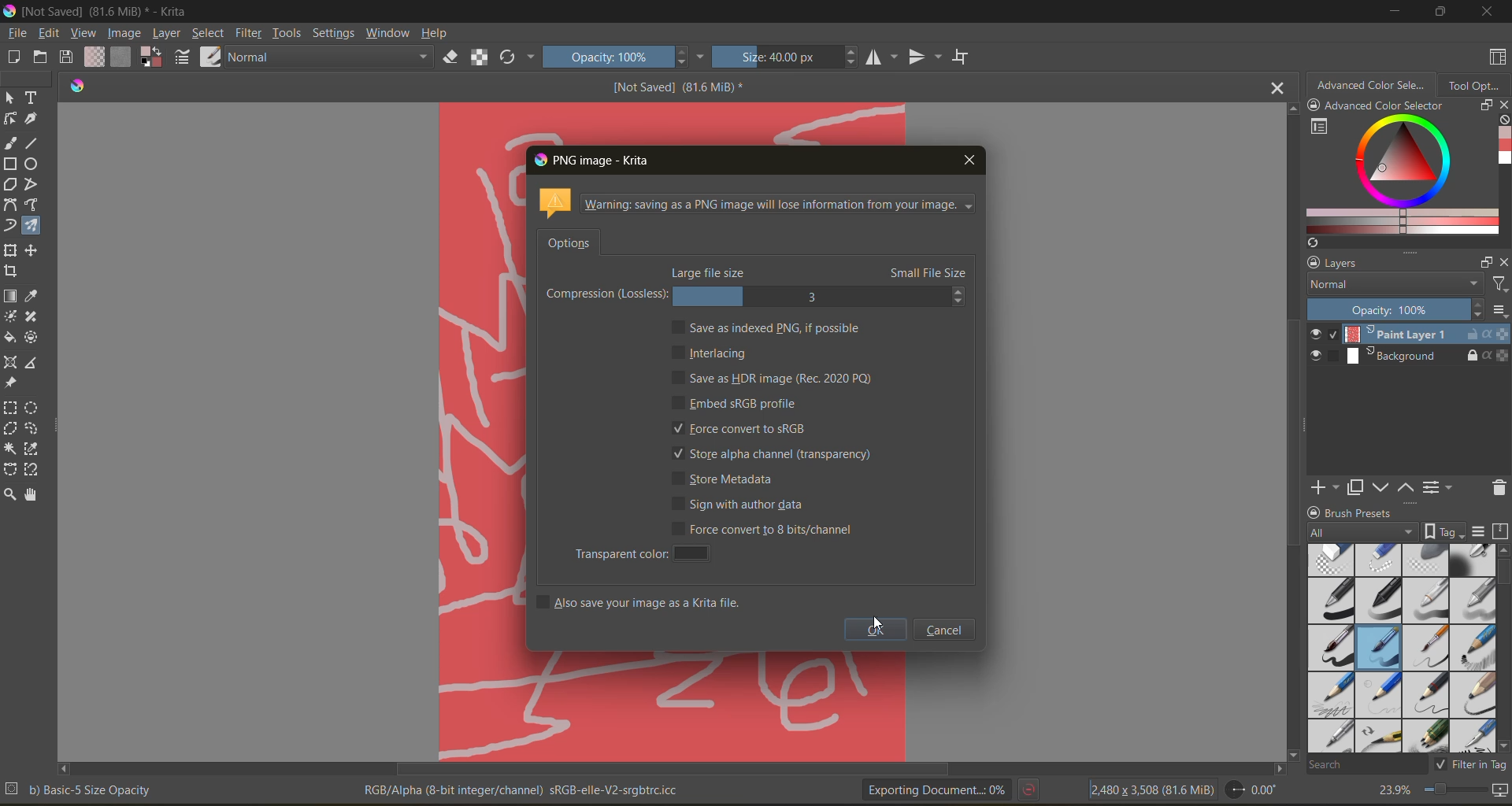 The image size is (1512, 806). What do you see at coordinates (514, 57) in the screenshot?
I see `reload original preset` at bounding box center [514, 57].